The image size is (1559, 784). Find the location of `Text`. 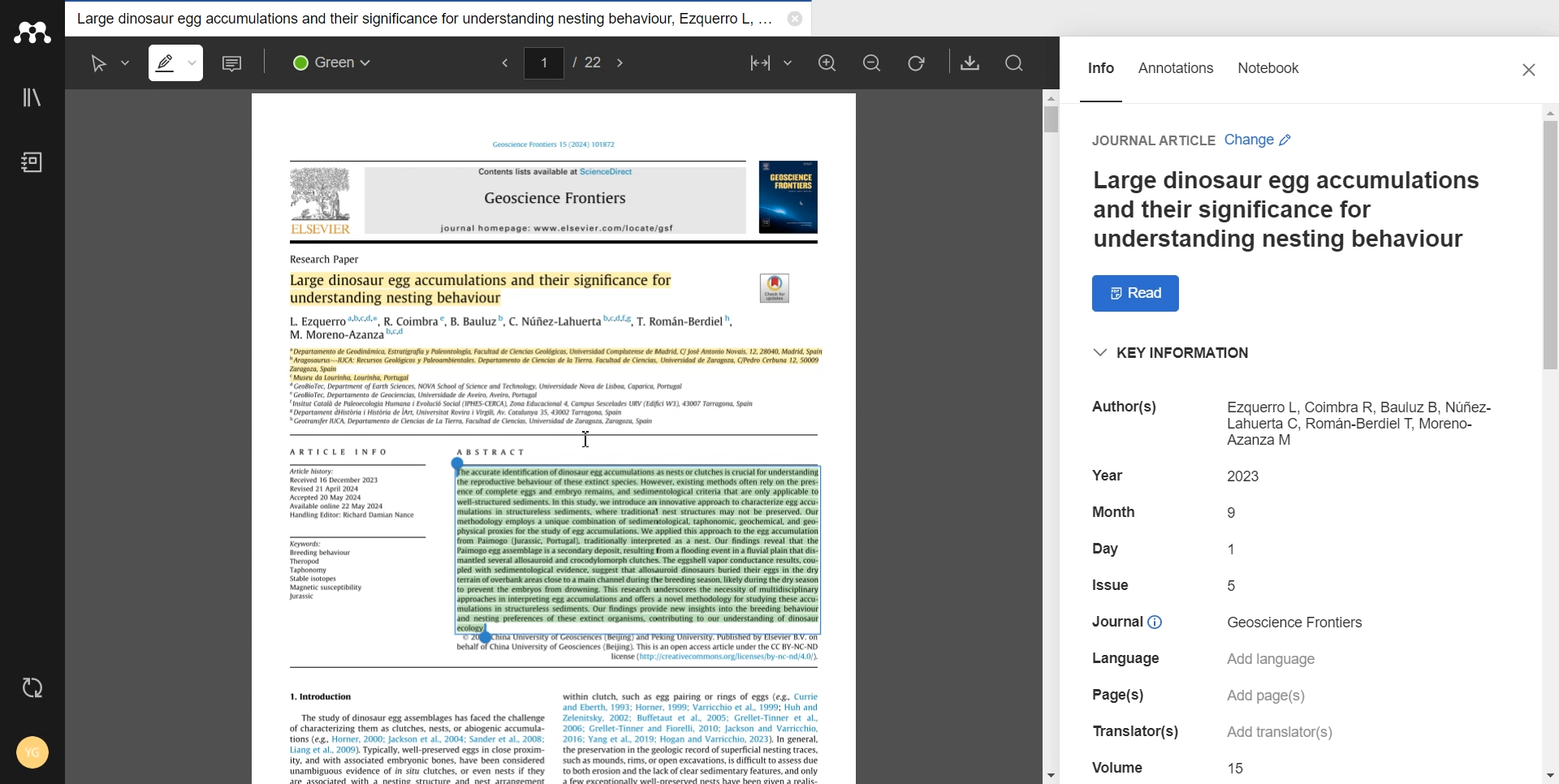

Text is located at coordinates (1285, 209).